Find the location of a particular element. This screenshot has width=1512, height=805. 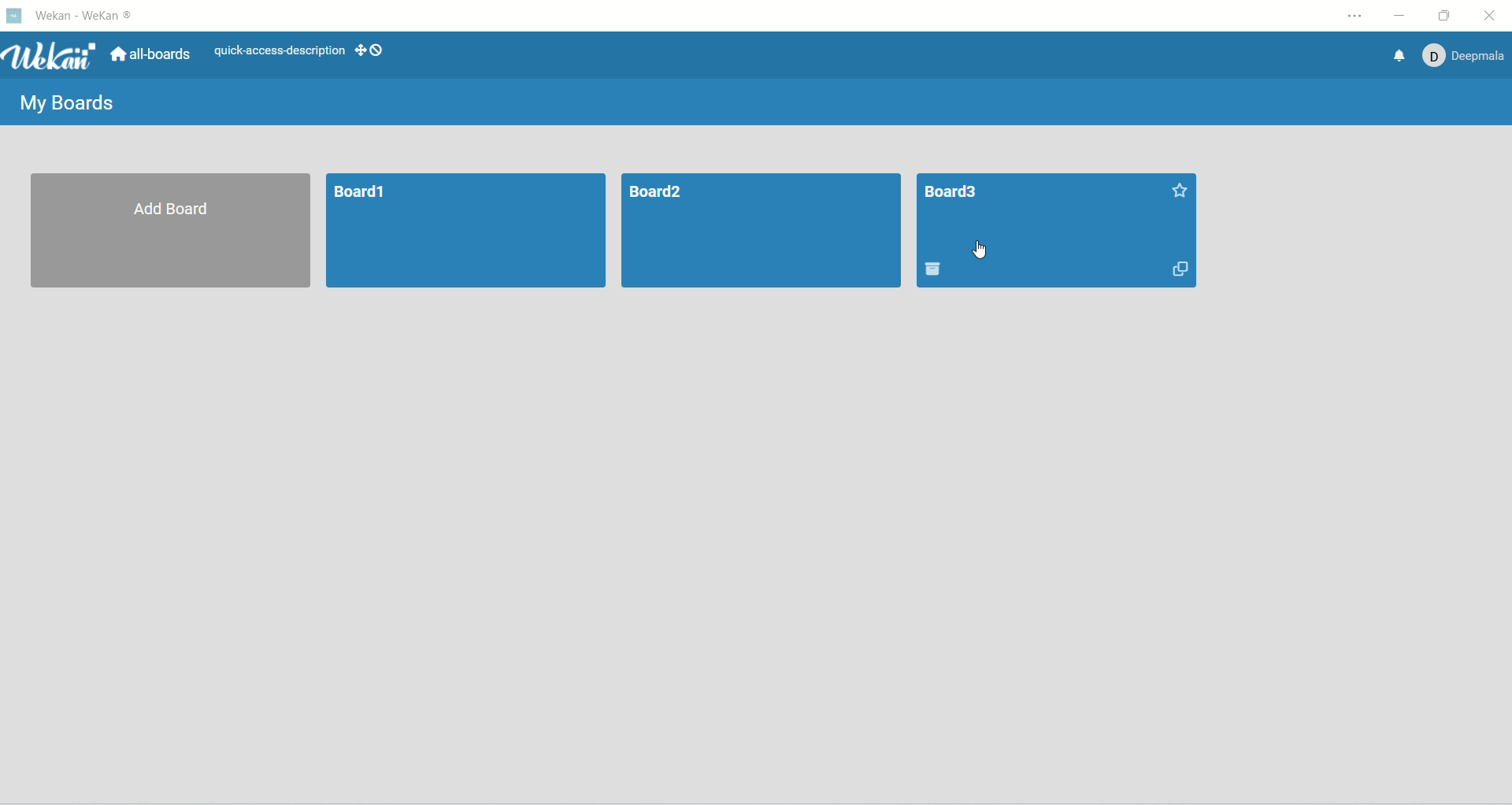

notification is located at coordinates (1392, 56).